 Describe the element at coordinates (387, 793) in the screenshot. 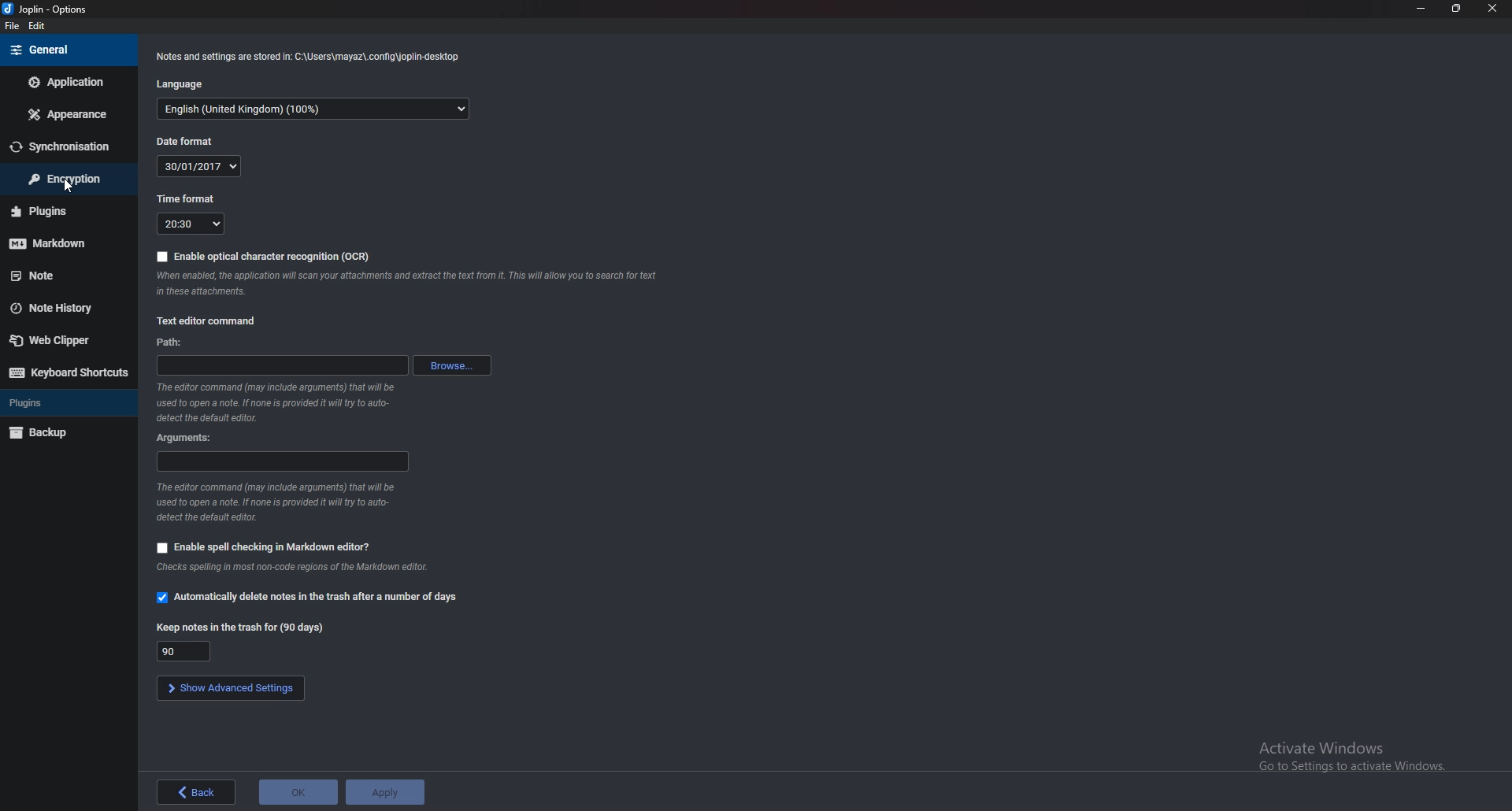

I see `apply` at that location.